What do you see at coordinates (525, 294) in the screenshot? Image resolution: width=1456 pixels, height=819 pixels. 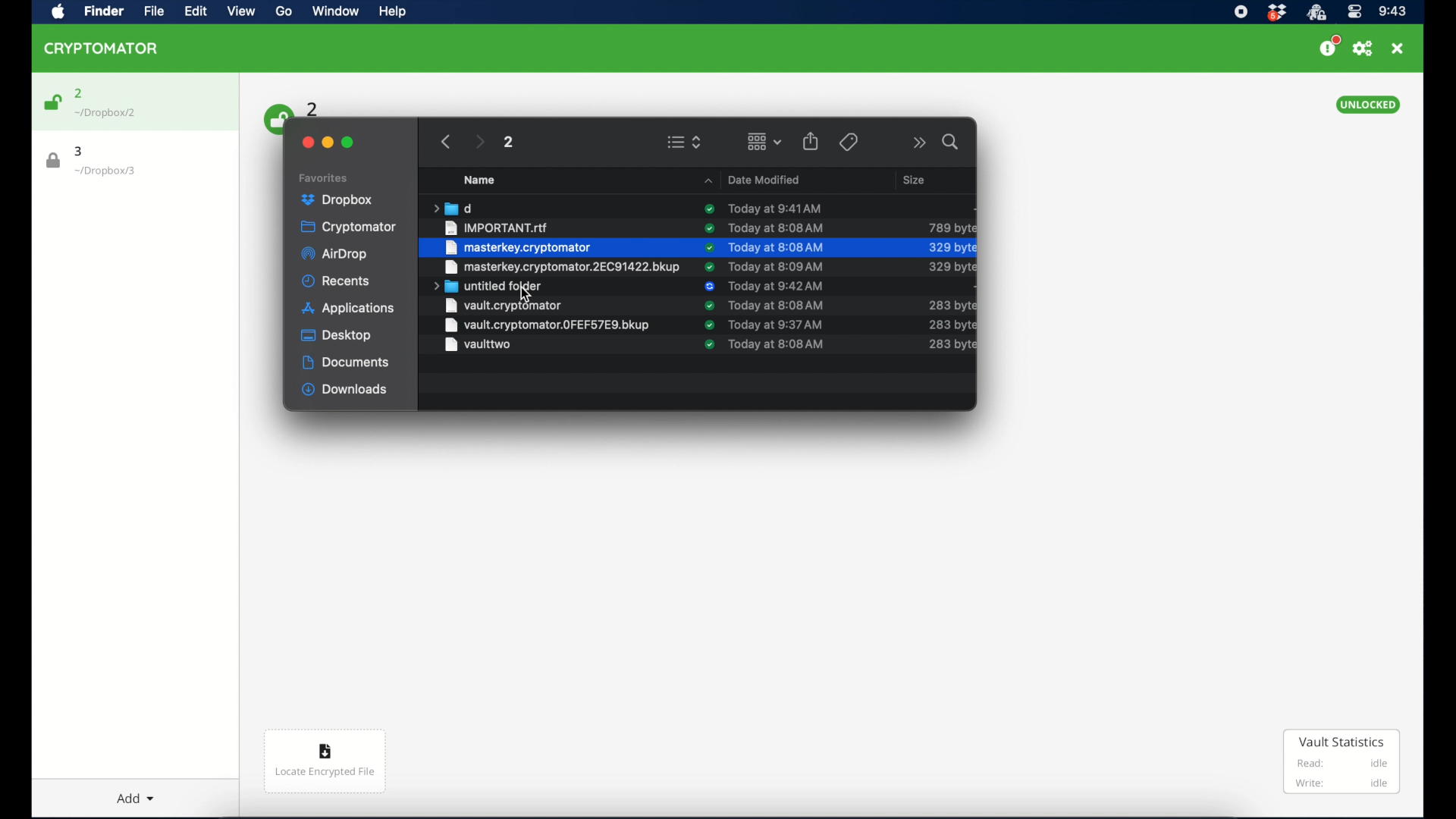 I see `cursor` at bounding box center [525, 294].